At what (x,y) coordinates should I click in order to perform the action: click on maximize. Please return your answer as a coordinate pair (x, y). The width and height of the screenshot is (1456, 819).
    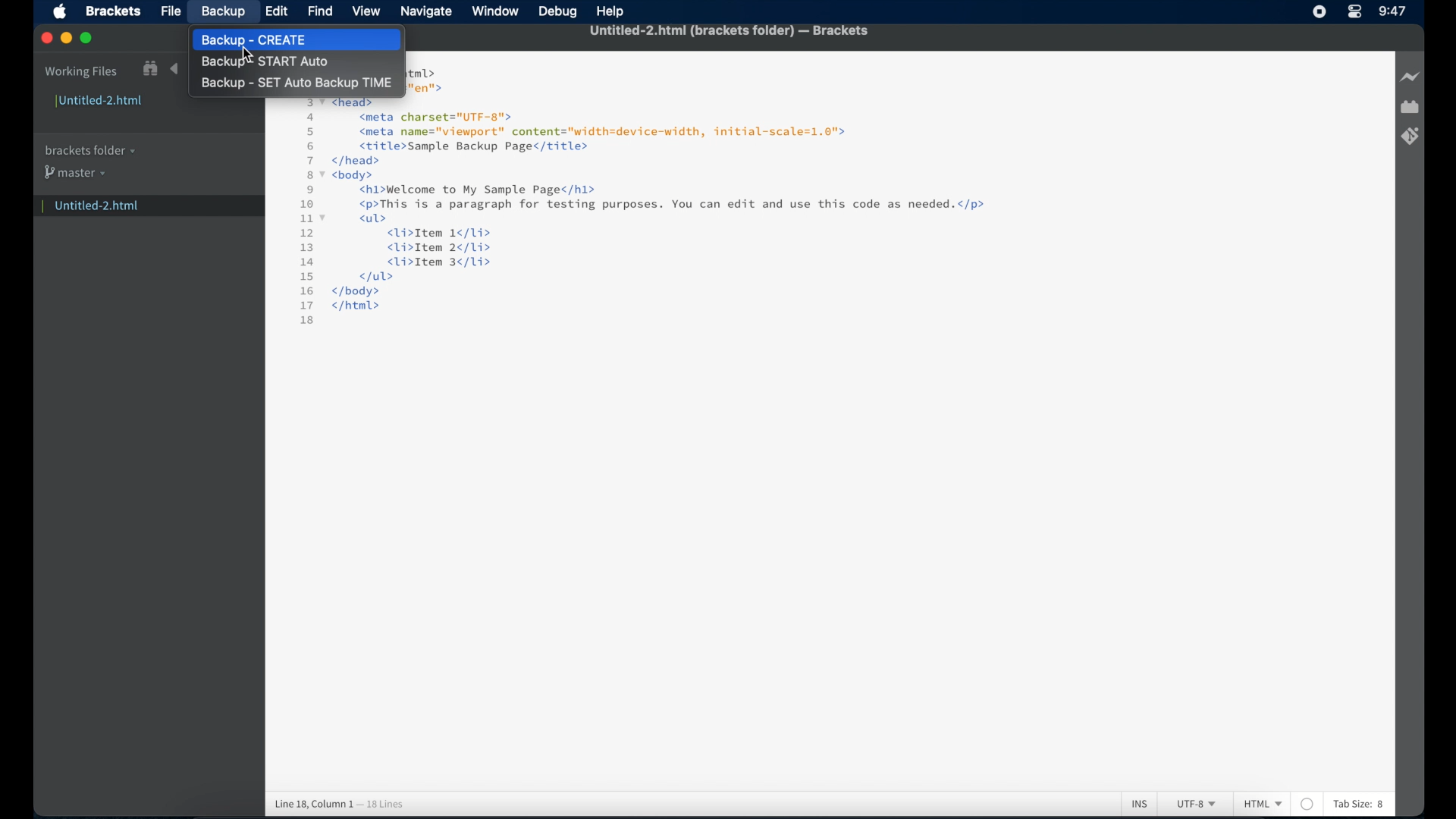
    Looking at the image, I should click on (87, 39).